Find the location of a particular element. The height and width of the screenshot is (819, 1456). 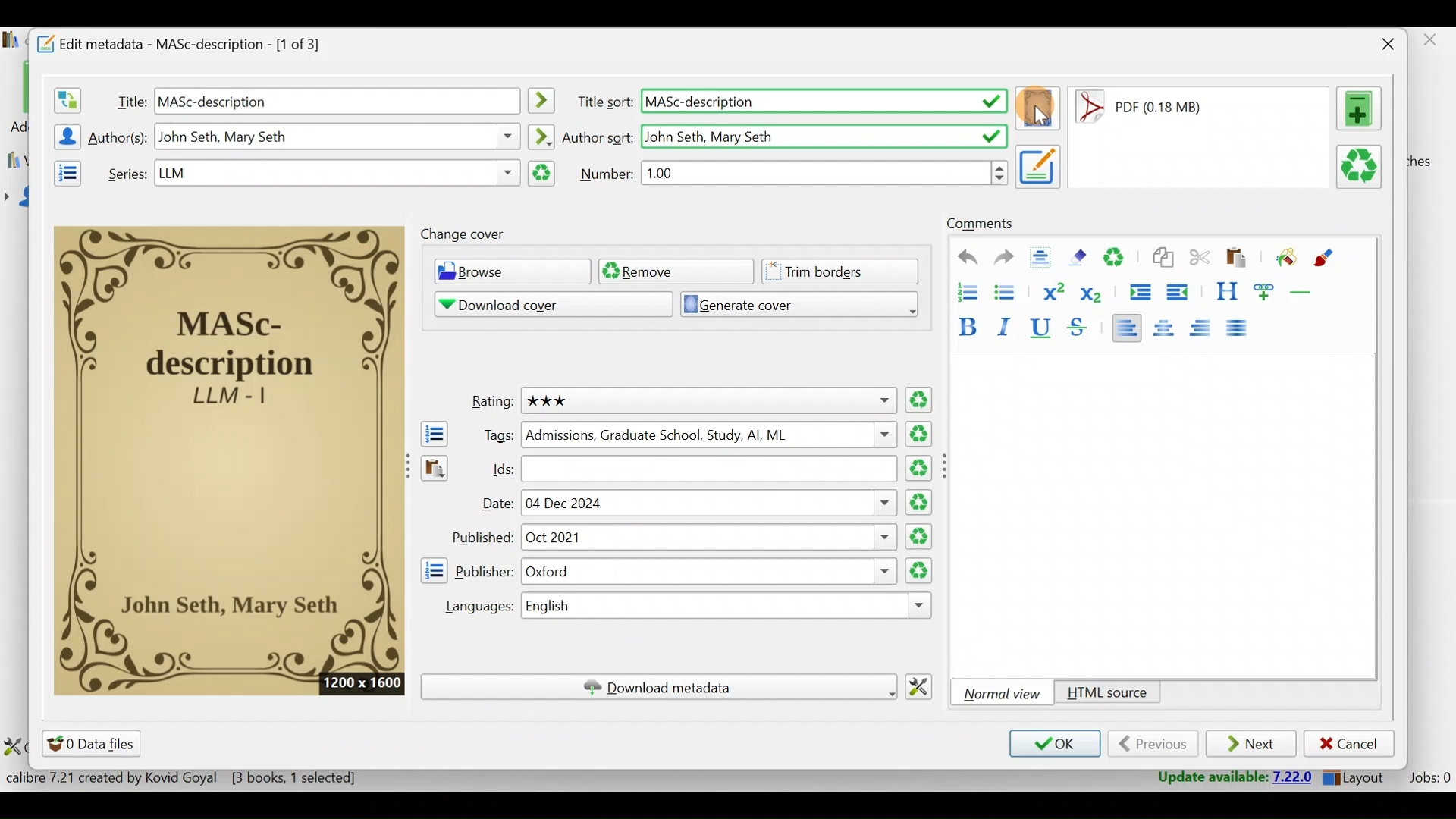

Decrease indentation is located at coordinates (1178, 292).